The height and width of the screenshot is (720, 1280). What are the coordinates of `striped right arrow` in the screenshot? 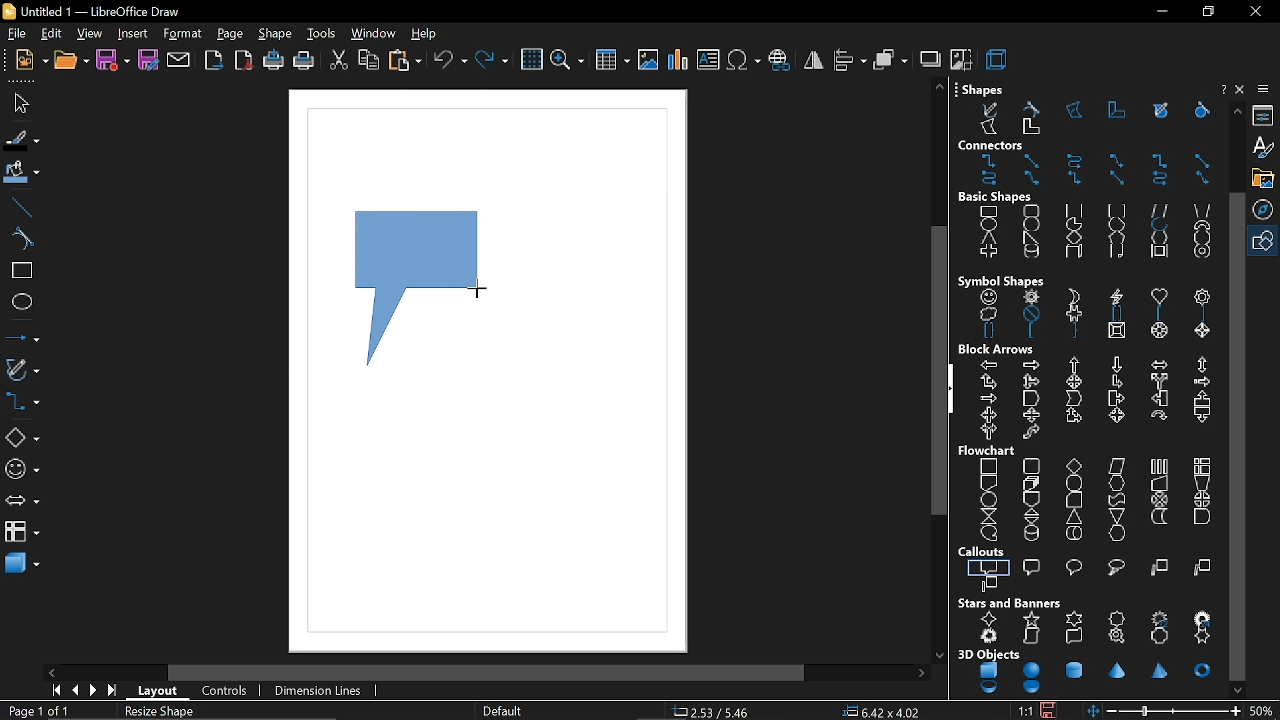 It's located at (1202, 382).